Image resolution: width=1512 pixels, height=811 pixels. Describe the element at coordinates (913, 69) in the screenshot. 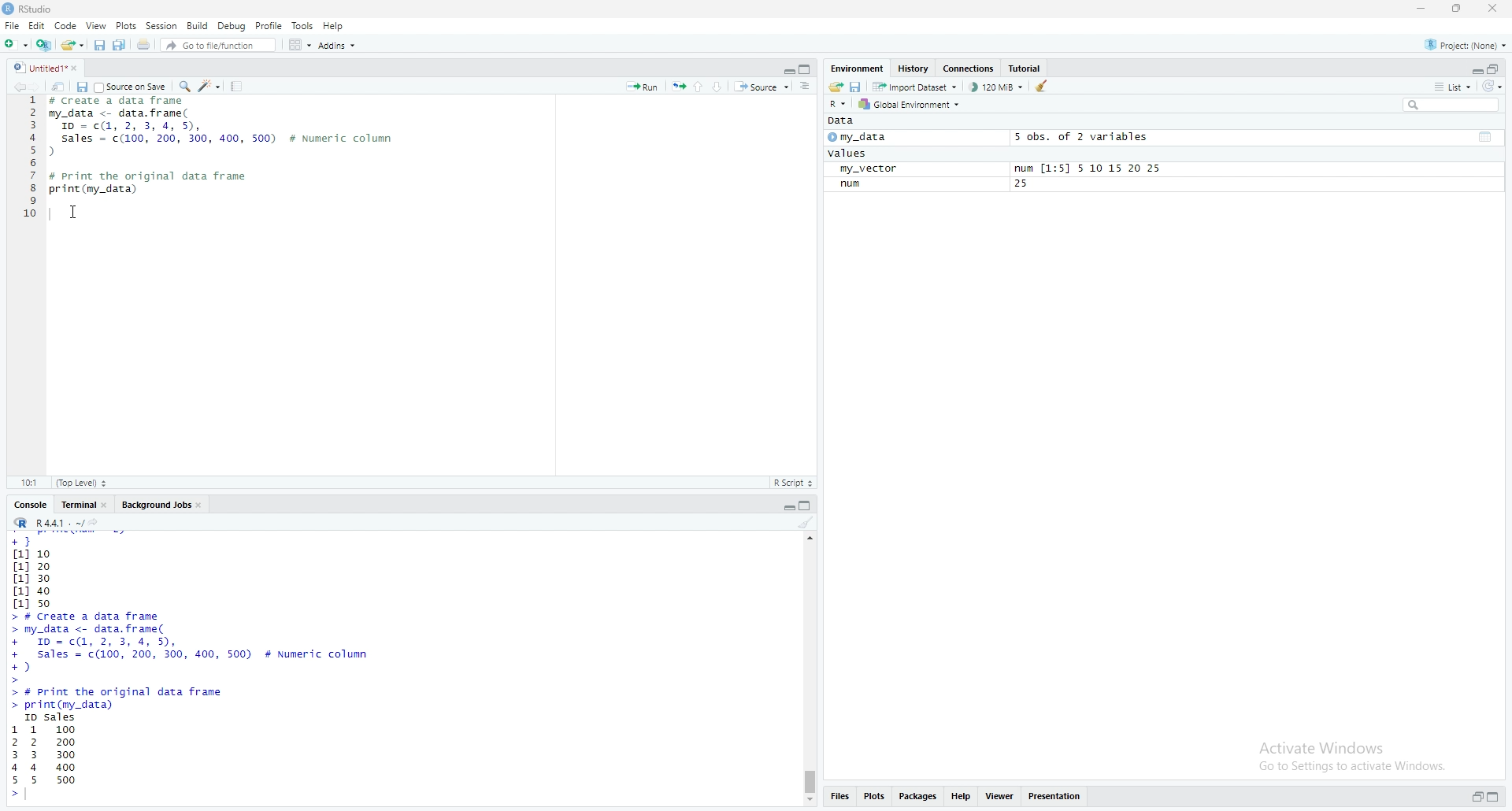

I see `history` at that location.